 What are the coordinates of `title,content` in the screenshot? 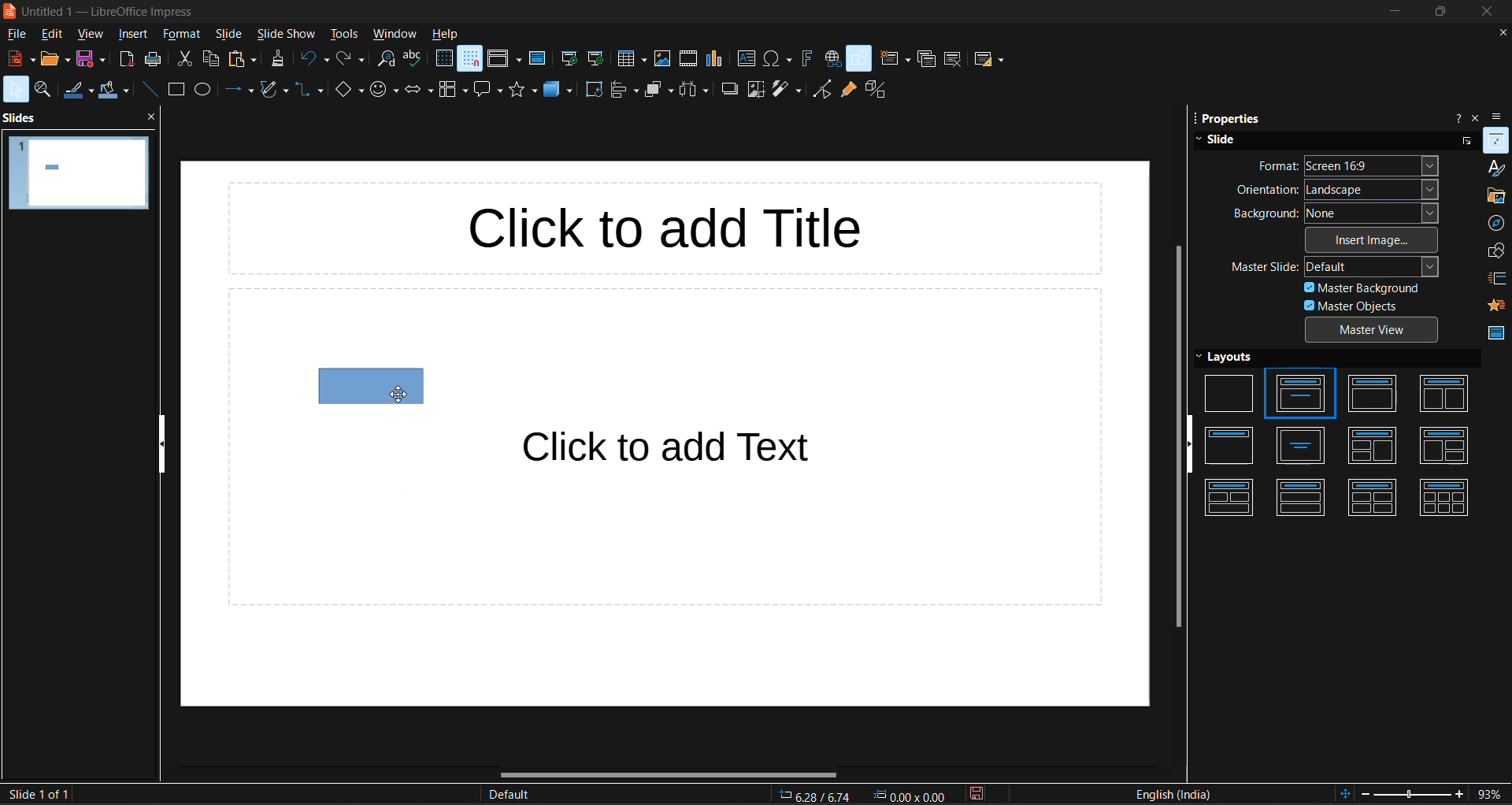 It's located at (1376, 394).